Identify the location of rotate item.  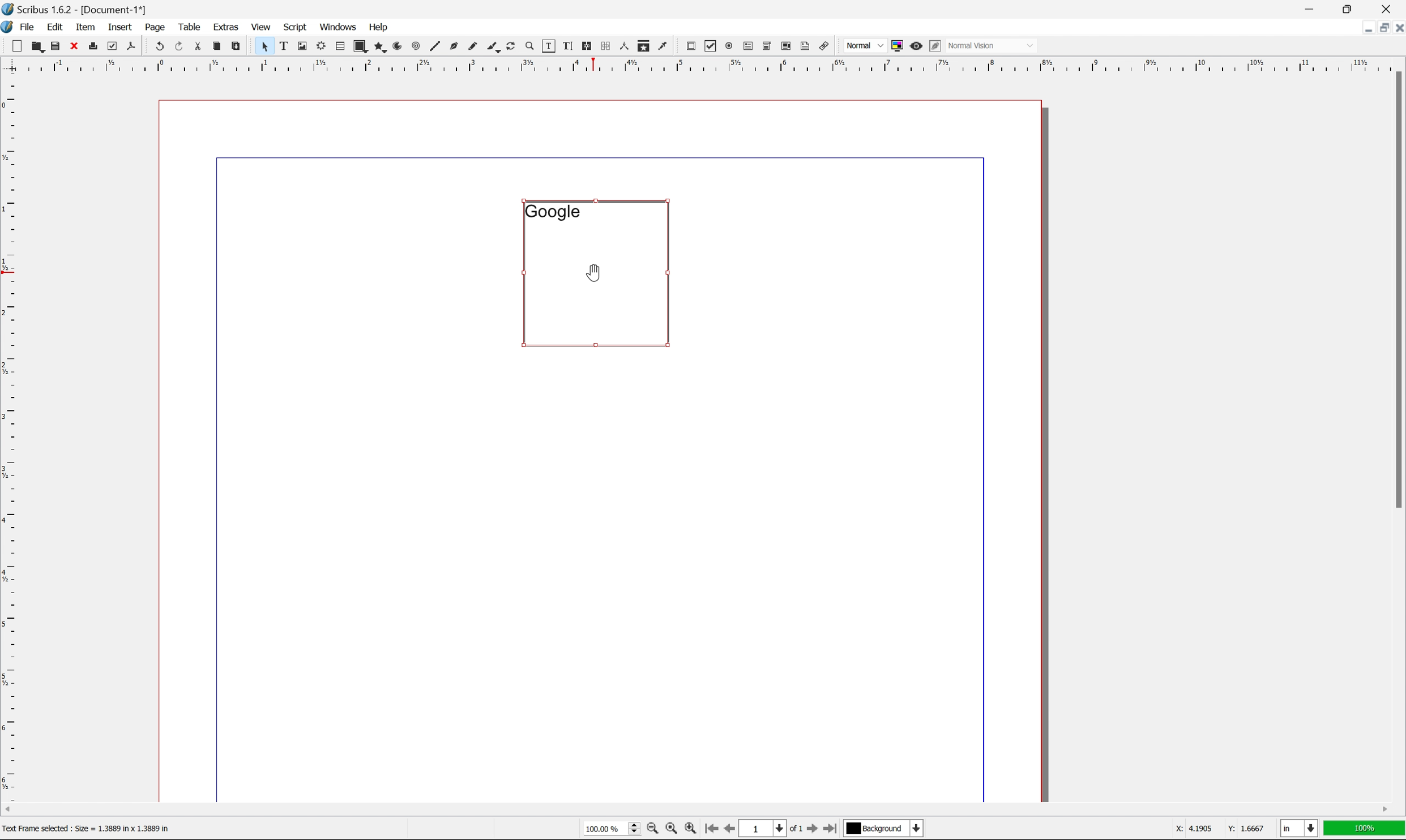
(511, 47).